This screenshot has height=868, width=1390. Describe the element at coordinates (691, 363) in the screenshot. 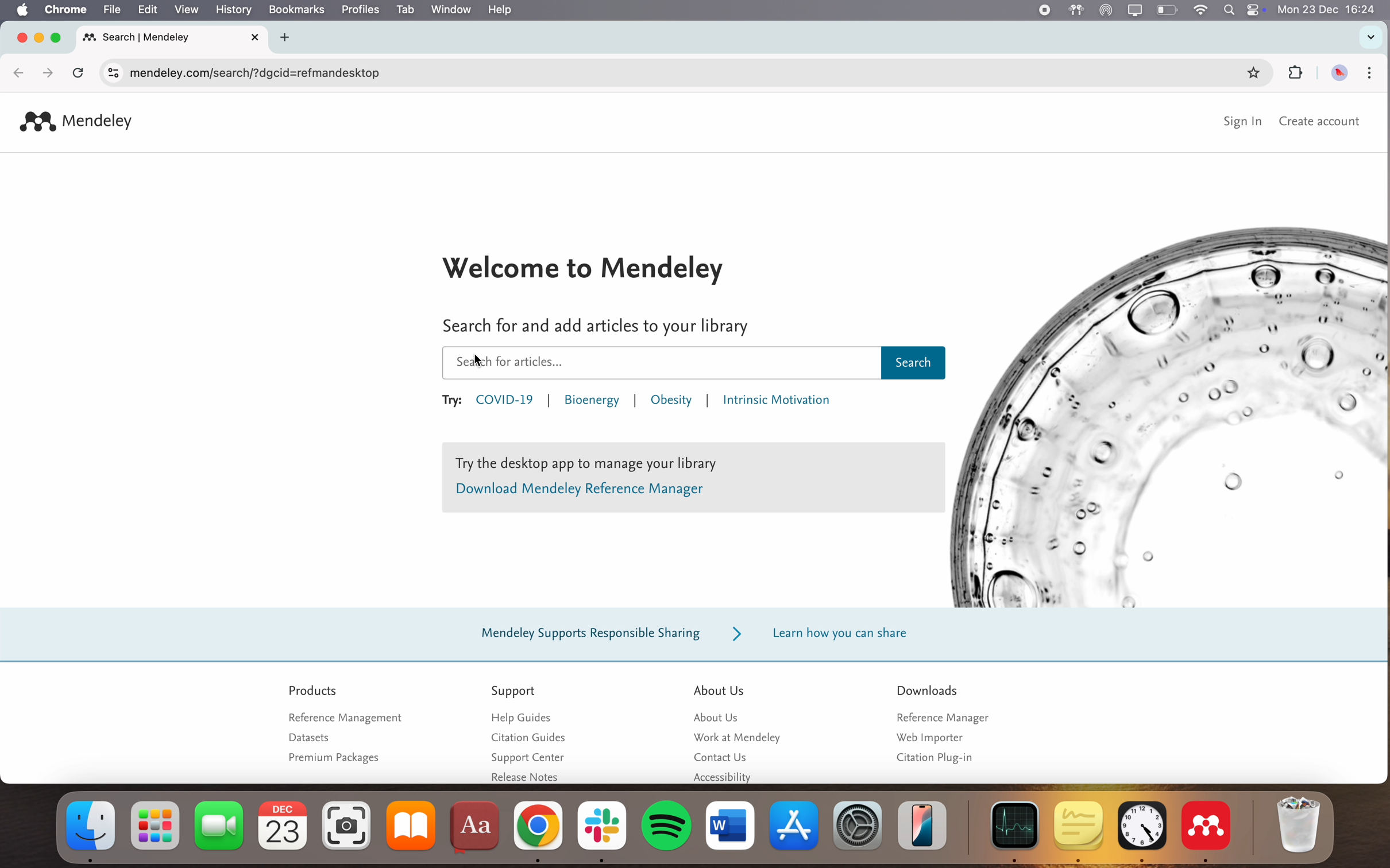

I see `click on search bar` at that location.